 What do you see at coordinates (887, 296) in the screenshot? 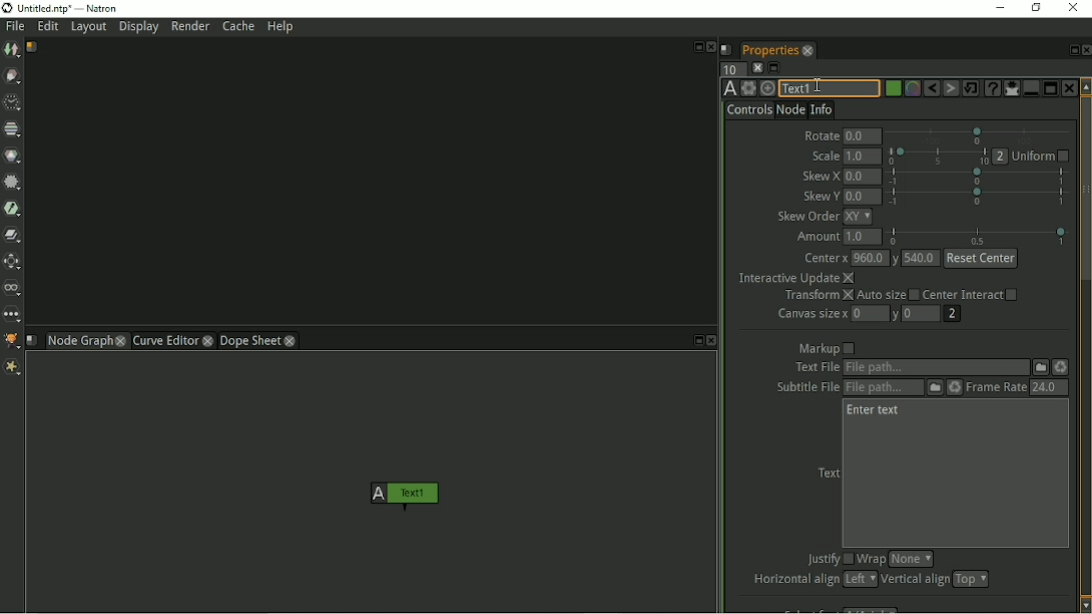
I see `Auto size` at bounding box center [887, 296].